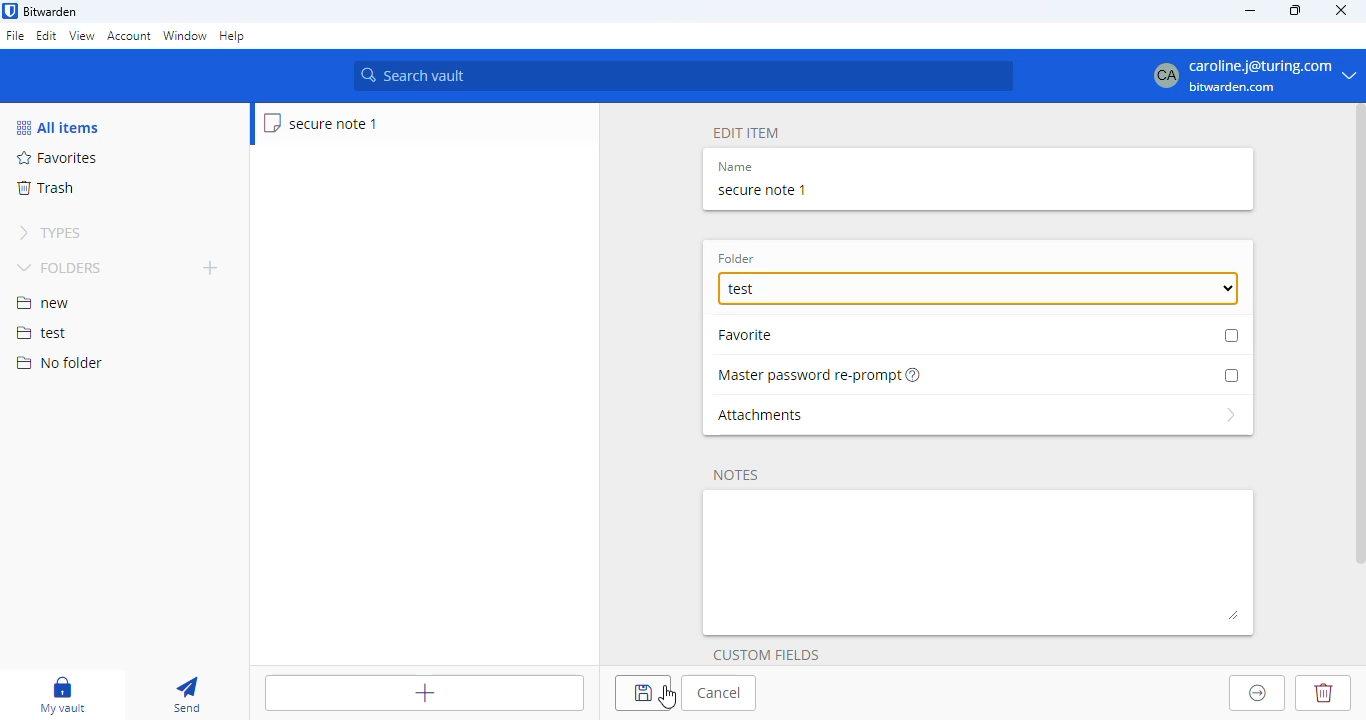  I want to click on search vault, so click(683, 76).